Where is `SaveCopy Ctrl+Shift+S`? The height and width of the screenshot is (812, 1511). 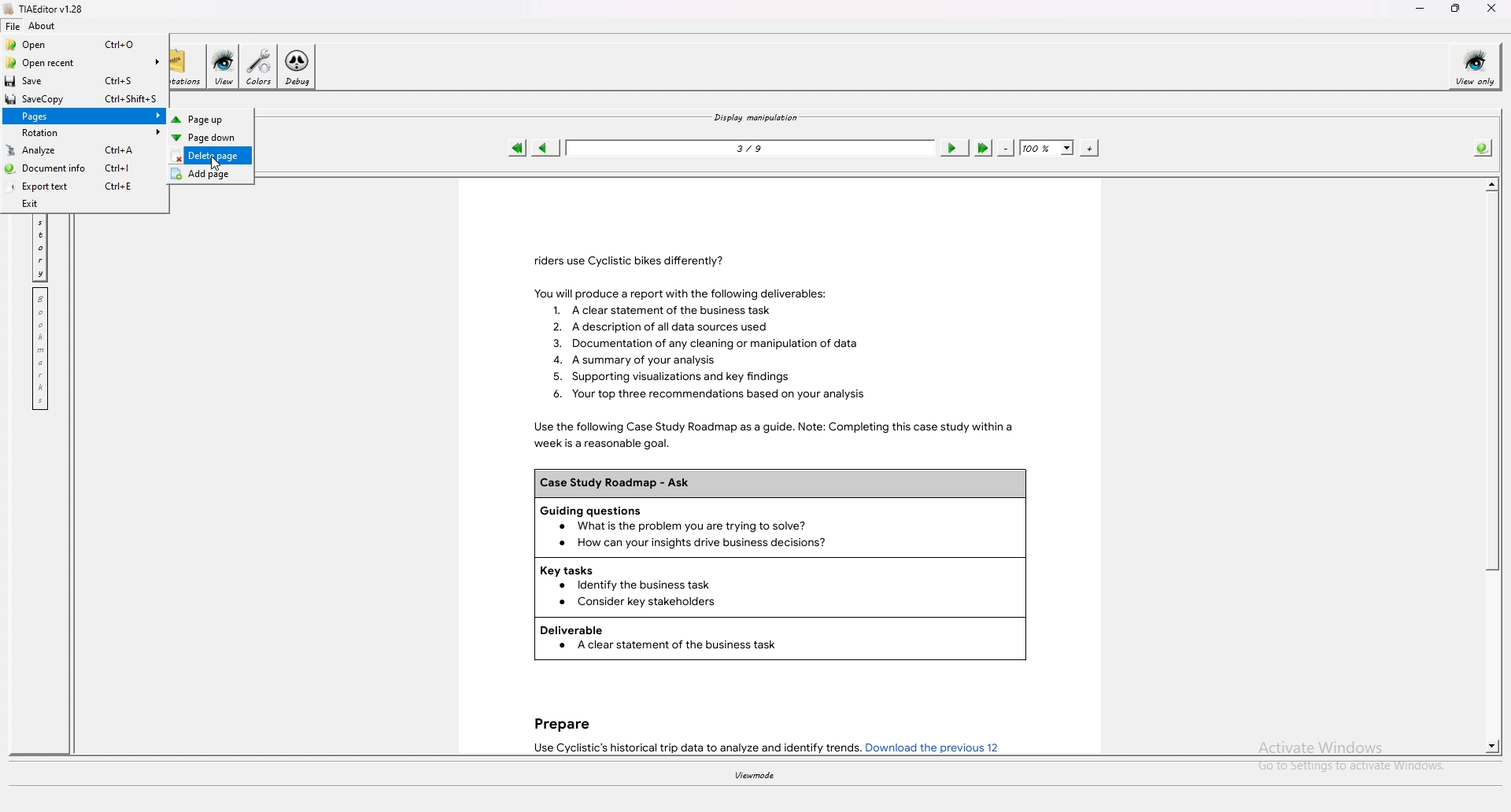 SaveCopy Ctrl+Shift+S is located at coordinates (83, 98).